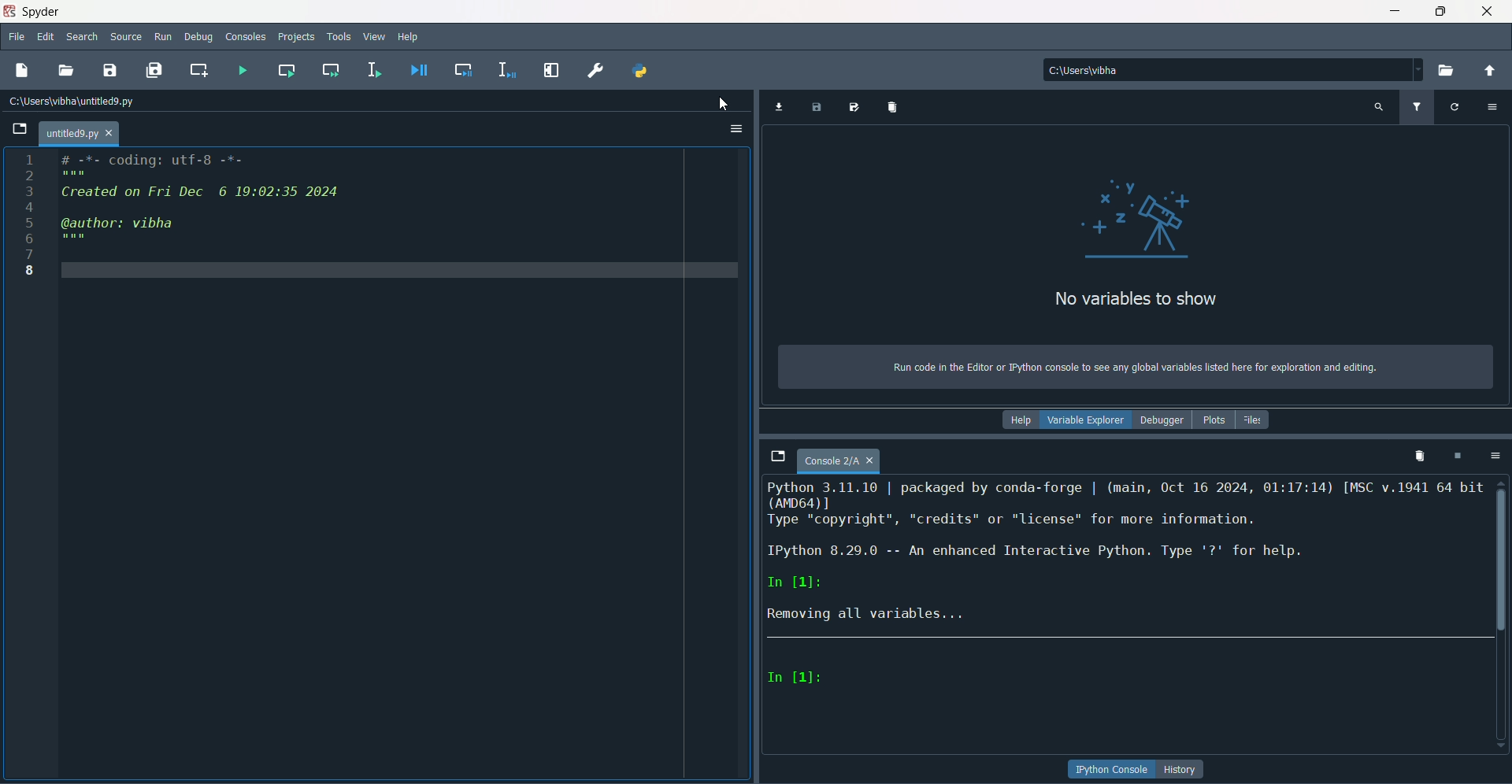 This screenshot has width=1512, height=784. I want to click on options, so click(1495, 105).